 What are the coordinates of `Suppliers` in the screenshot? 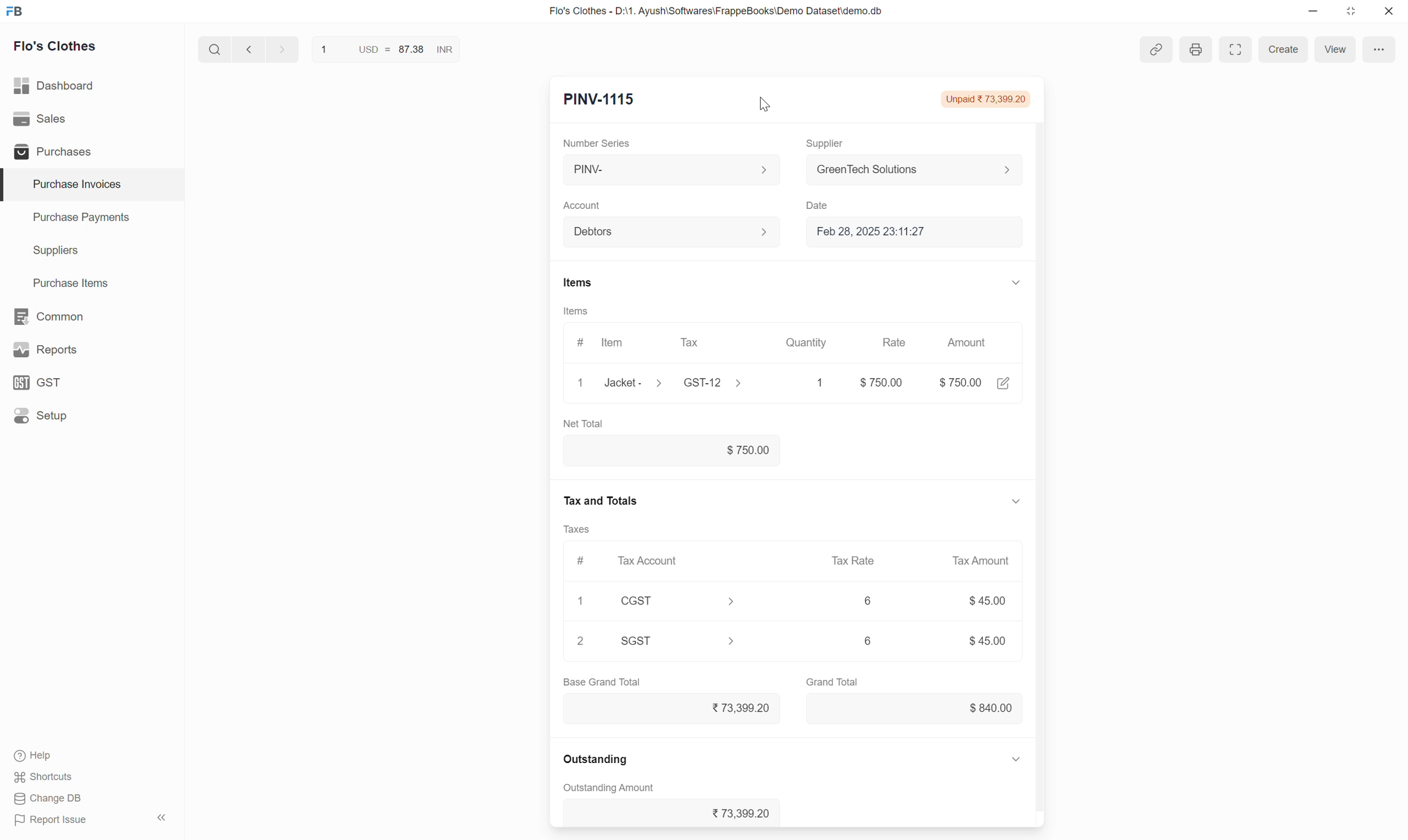 It's located at (92, 251).